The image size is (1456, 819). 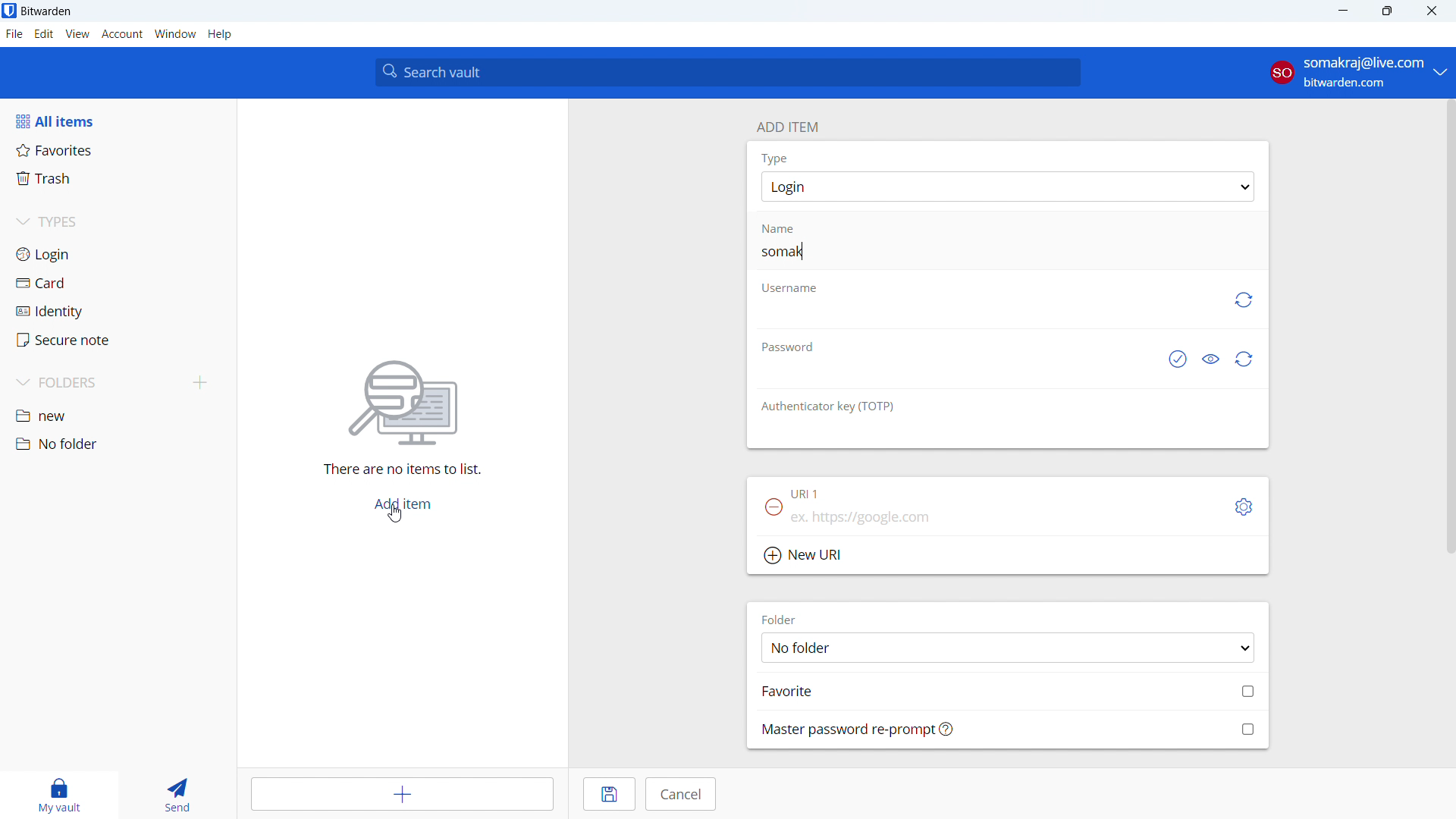 What do you see at coordinates (116, 444) in the screenshot?
I see `no folder` at bounding box center [116, 444].